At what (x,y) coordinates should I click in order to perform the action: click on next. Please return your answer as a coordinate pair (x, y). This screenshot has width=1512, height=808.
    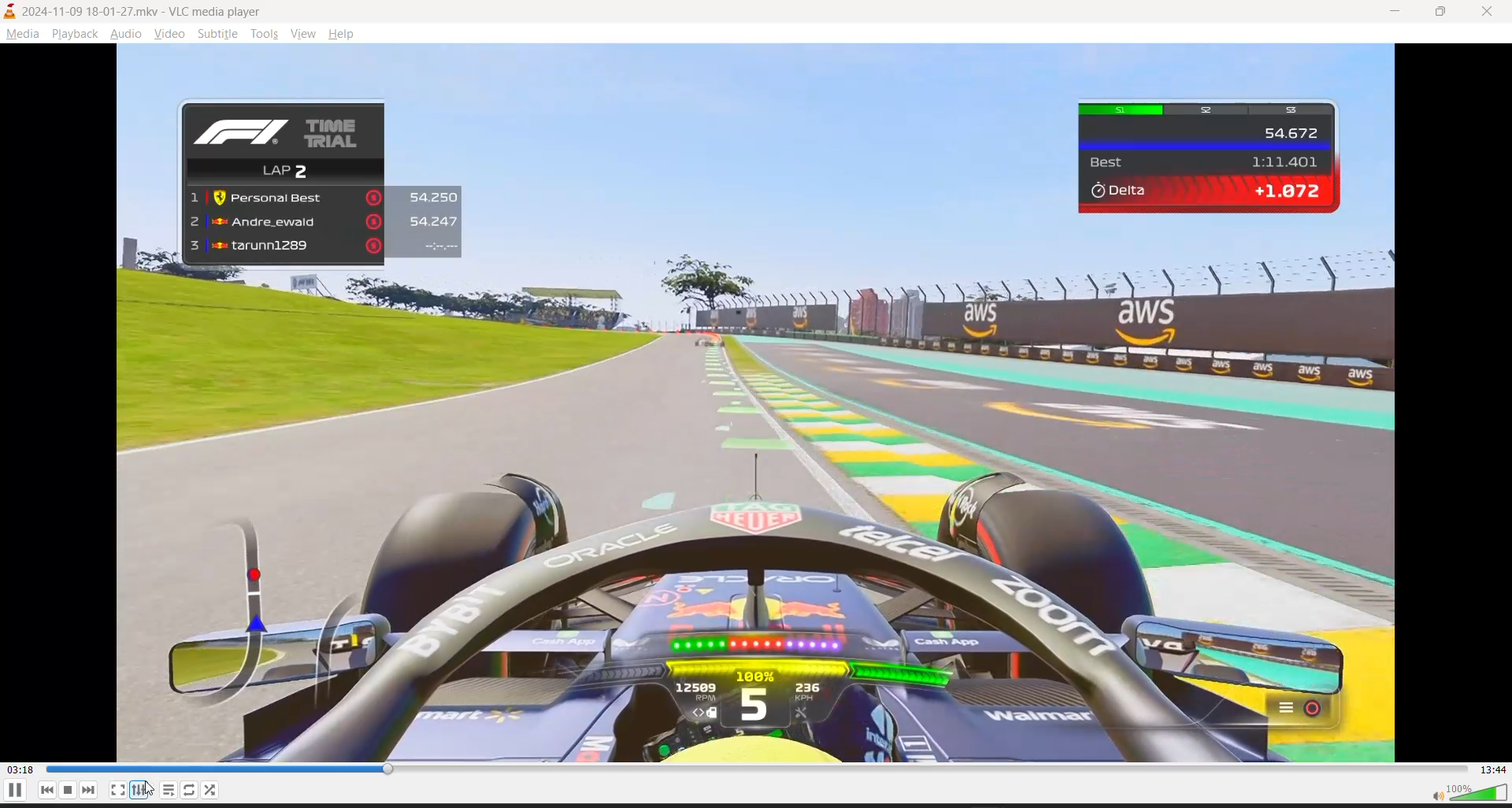
    Looking at the image, I should click on (90, 790).